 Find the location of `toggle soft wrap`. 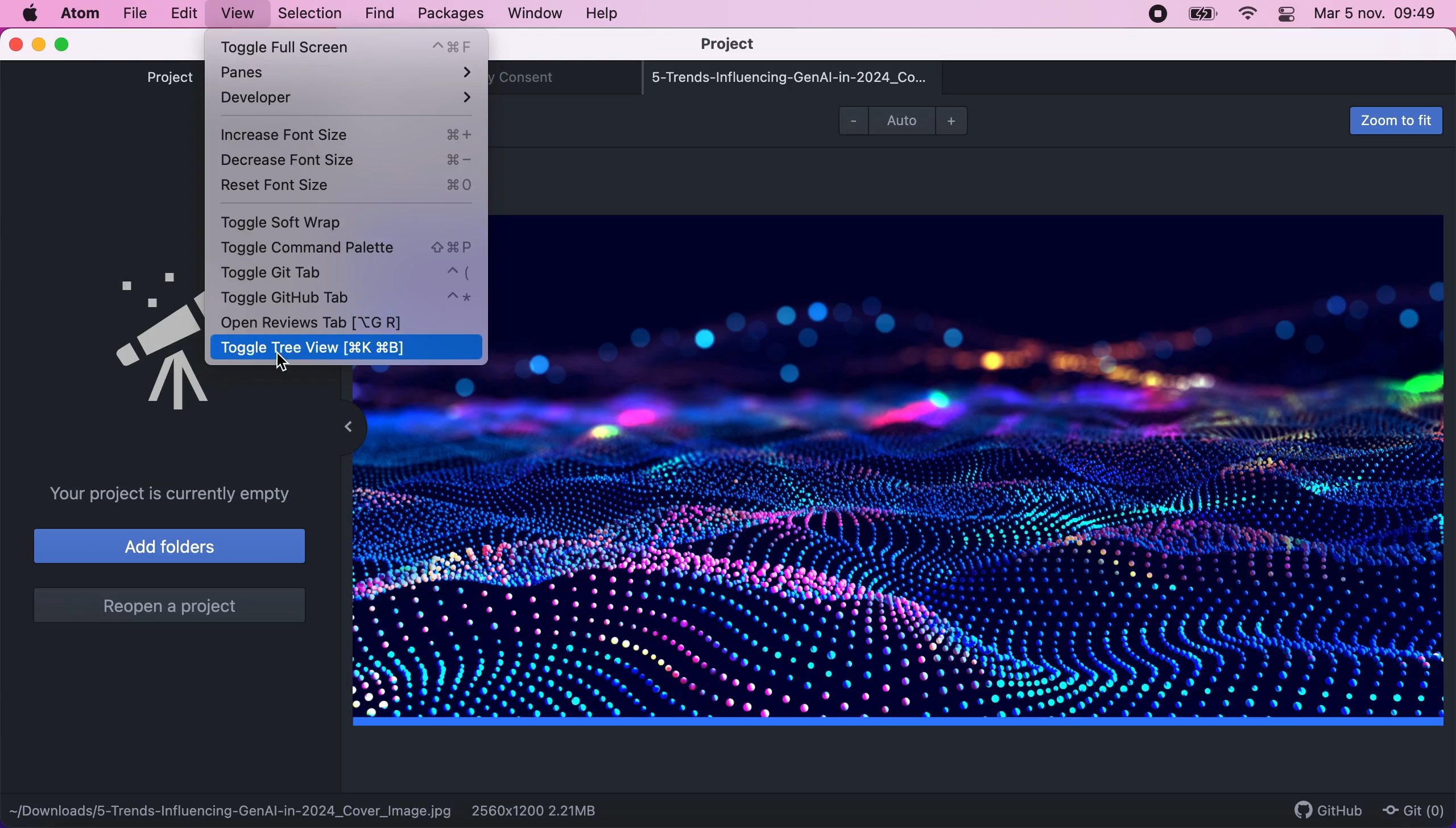

toggle soft wrap is located at coordinates (306, 221).